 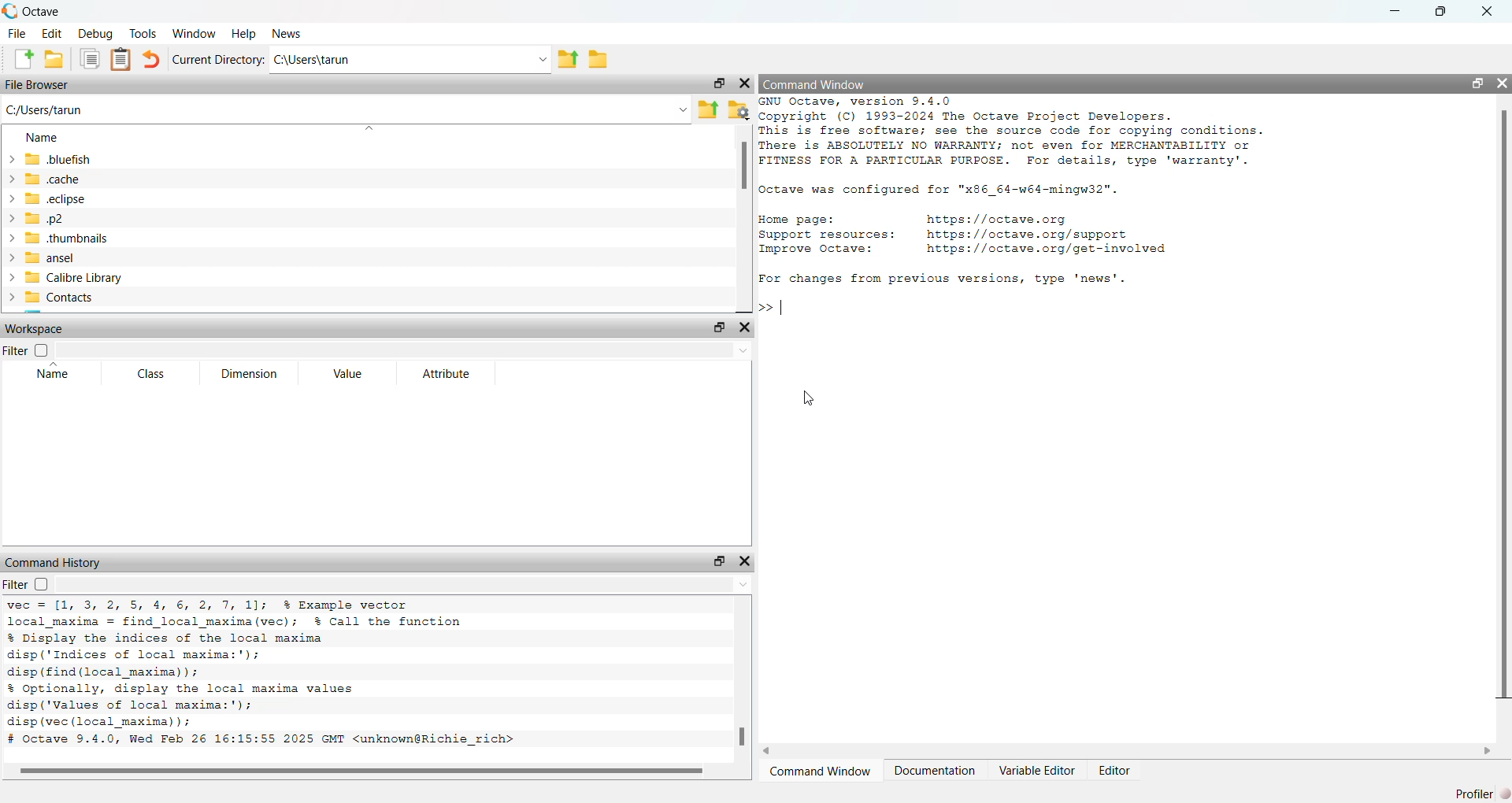 What do you see at coordinates (89, 59) in the screenshot?
I see `Copy` at bounding box center [89, 59].